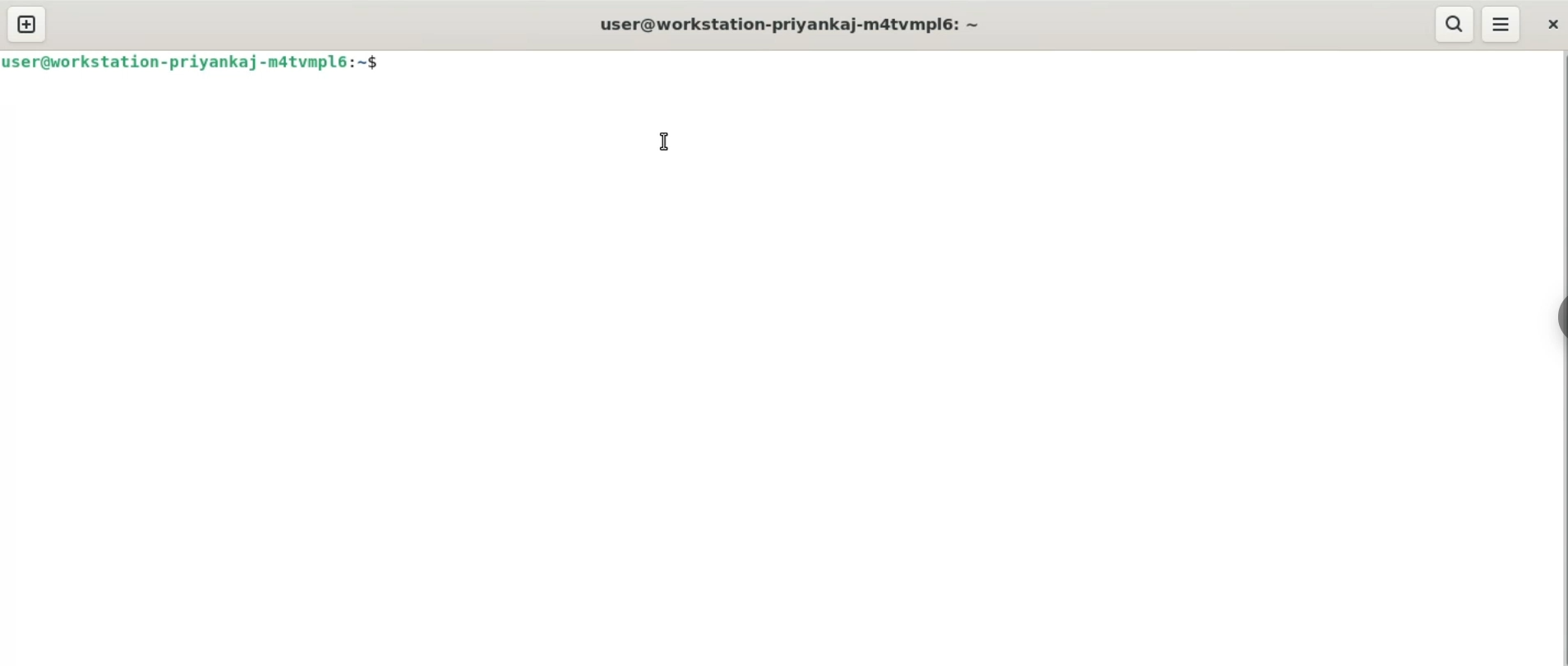  Describe the element at coordinates (1453, 24) in the screenshot. I see `search` at that location.